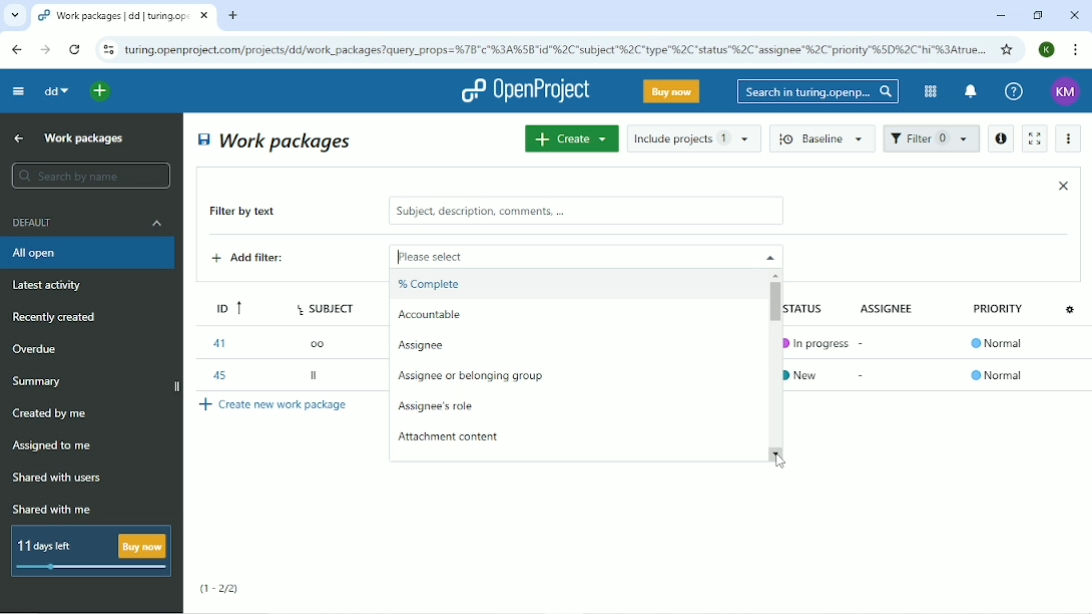 This screenshot has width=1092, height=614. I want to click on Shared with me, so click(54, 509).